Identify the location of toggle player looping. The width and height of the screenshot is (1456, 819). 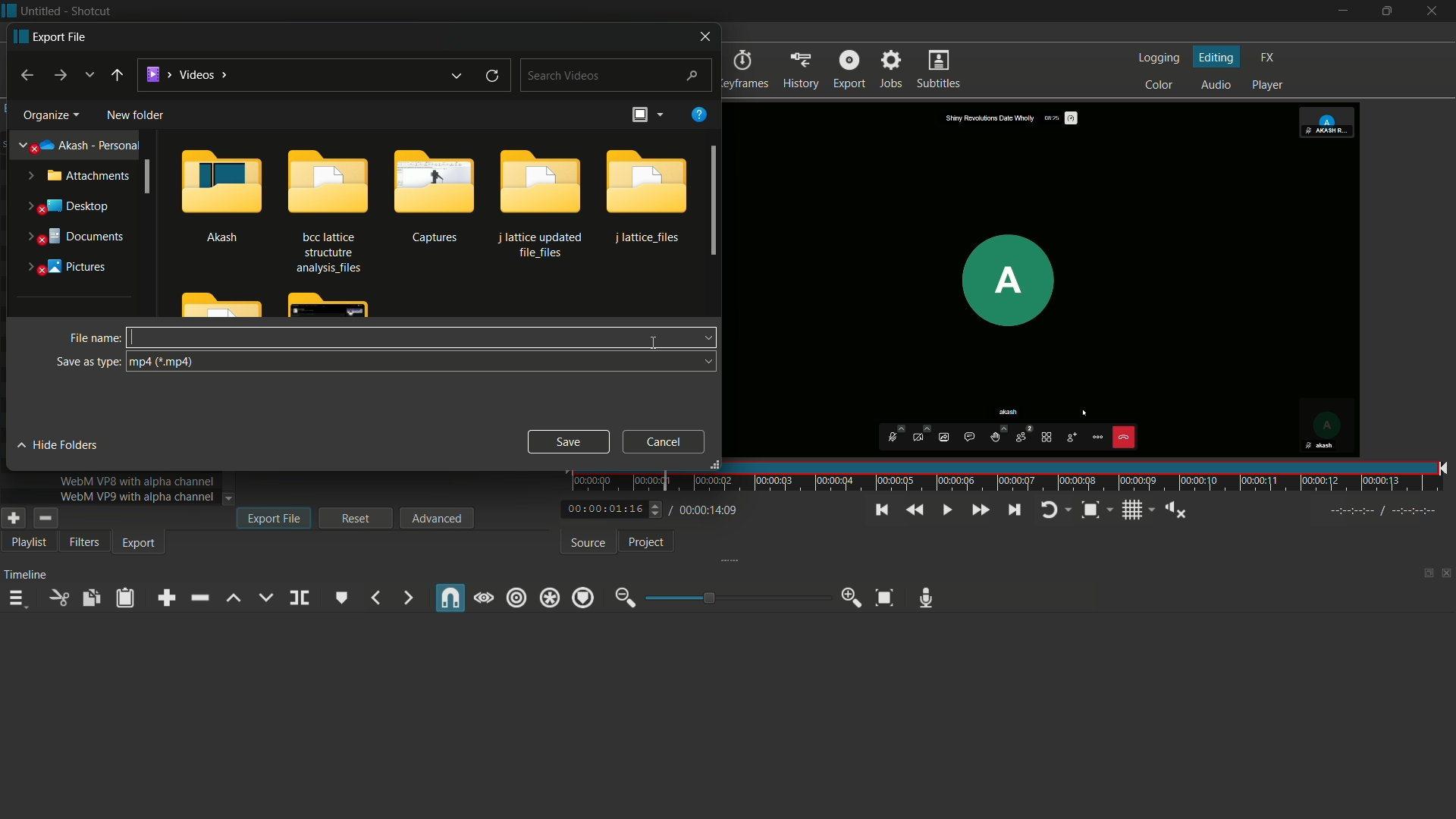
(1050, 510).